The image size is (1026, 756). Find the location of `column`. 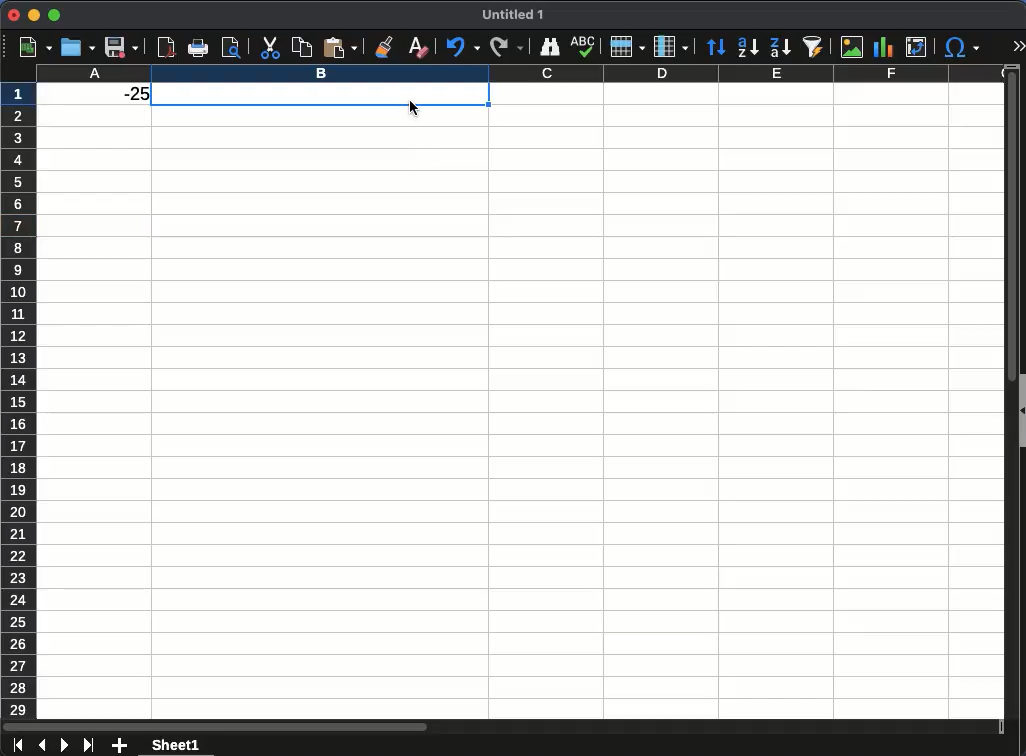

column is located at coordinates (519, 73).